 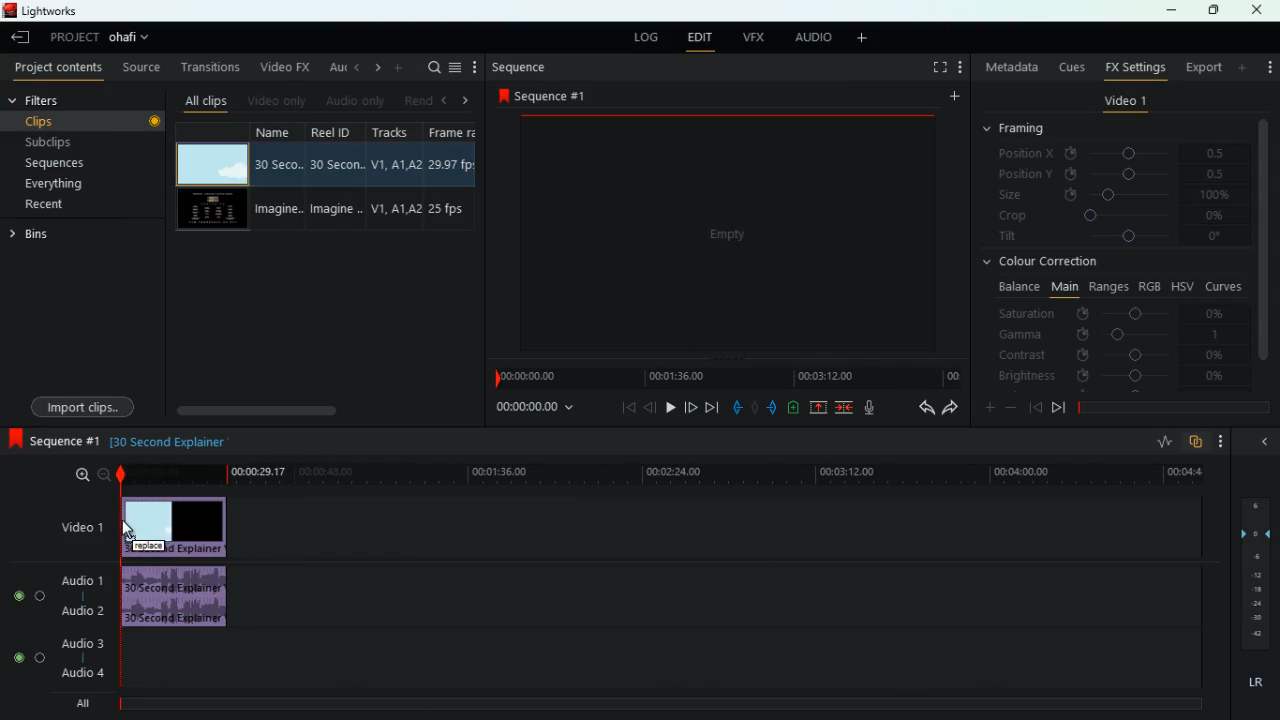 What do you see at coordinates (55, 442) in the screenshot?
I see `sequence` at bounding box center [55, 442].